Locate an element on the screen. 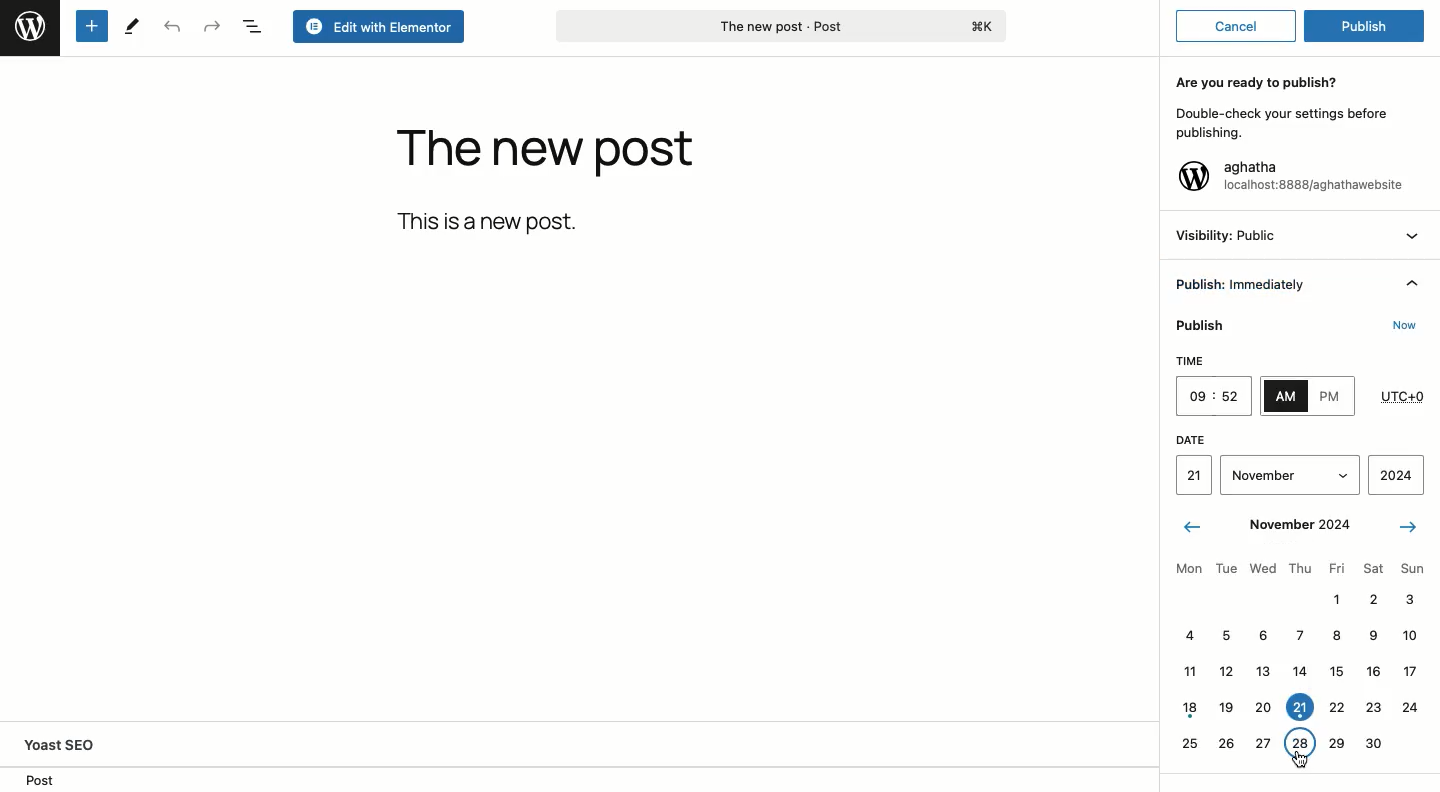 Image resolution: width=1440 pixels, height=792 pixels. 15 is located at coordinates (1335, 673).